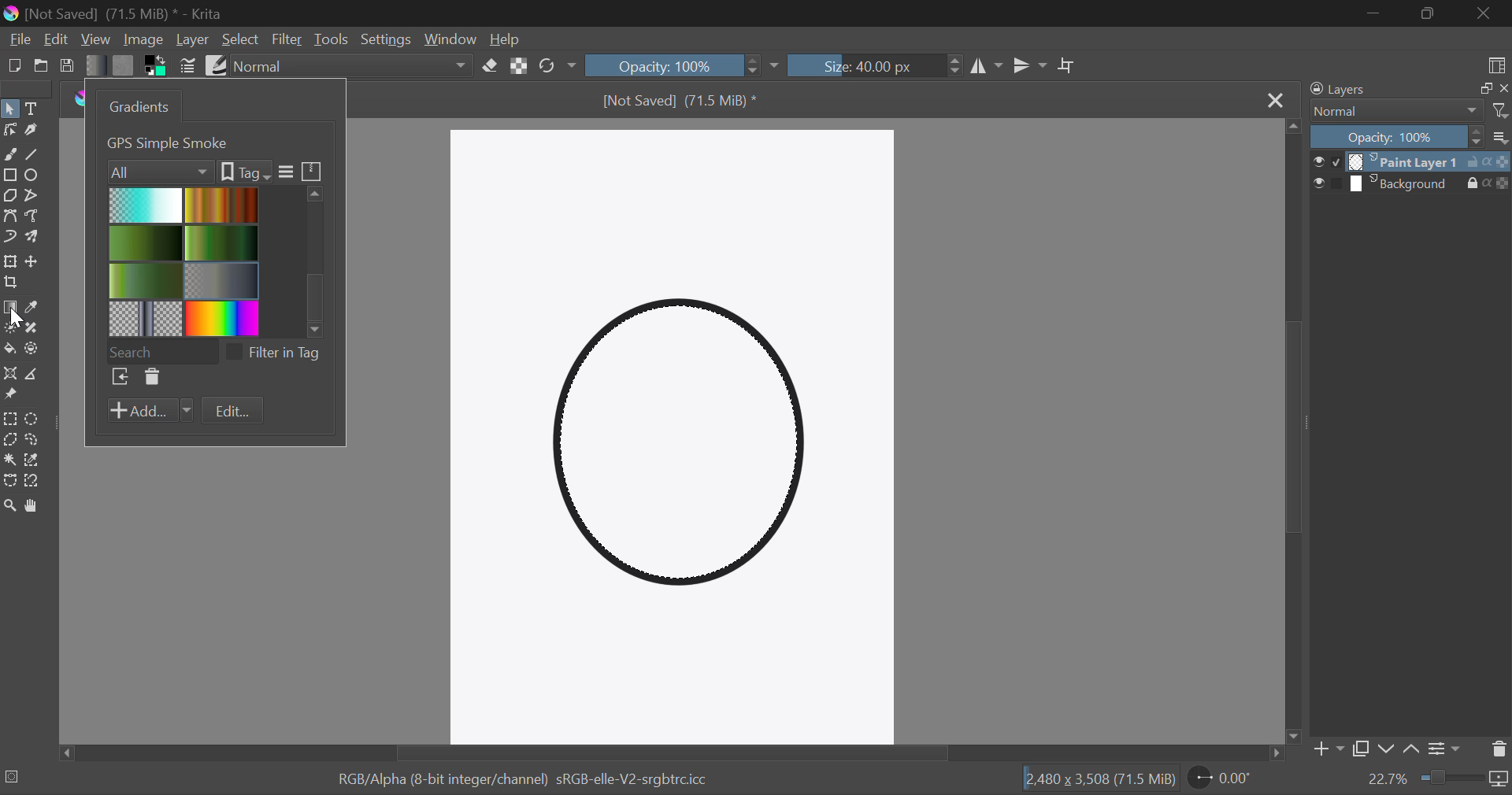  Describe the element at coordinates (37, 483) in the screenshot. I see `Magnetic Curve Selection` at that location.